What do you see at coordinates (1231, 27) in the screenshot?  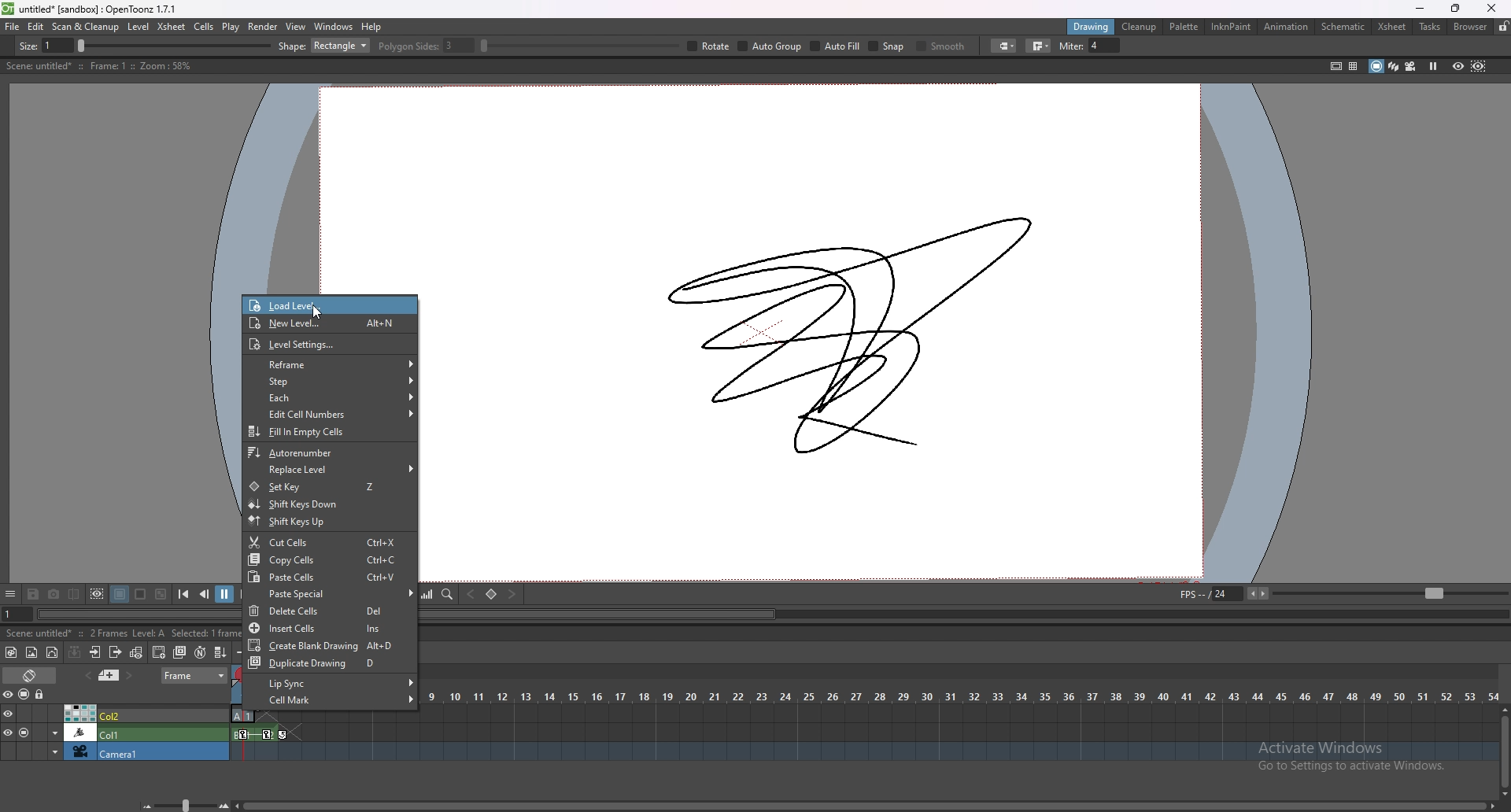 I see `inknpaint` at bounding box center [1231, 27].